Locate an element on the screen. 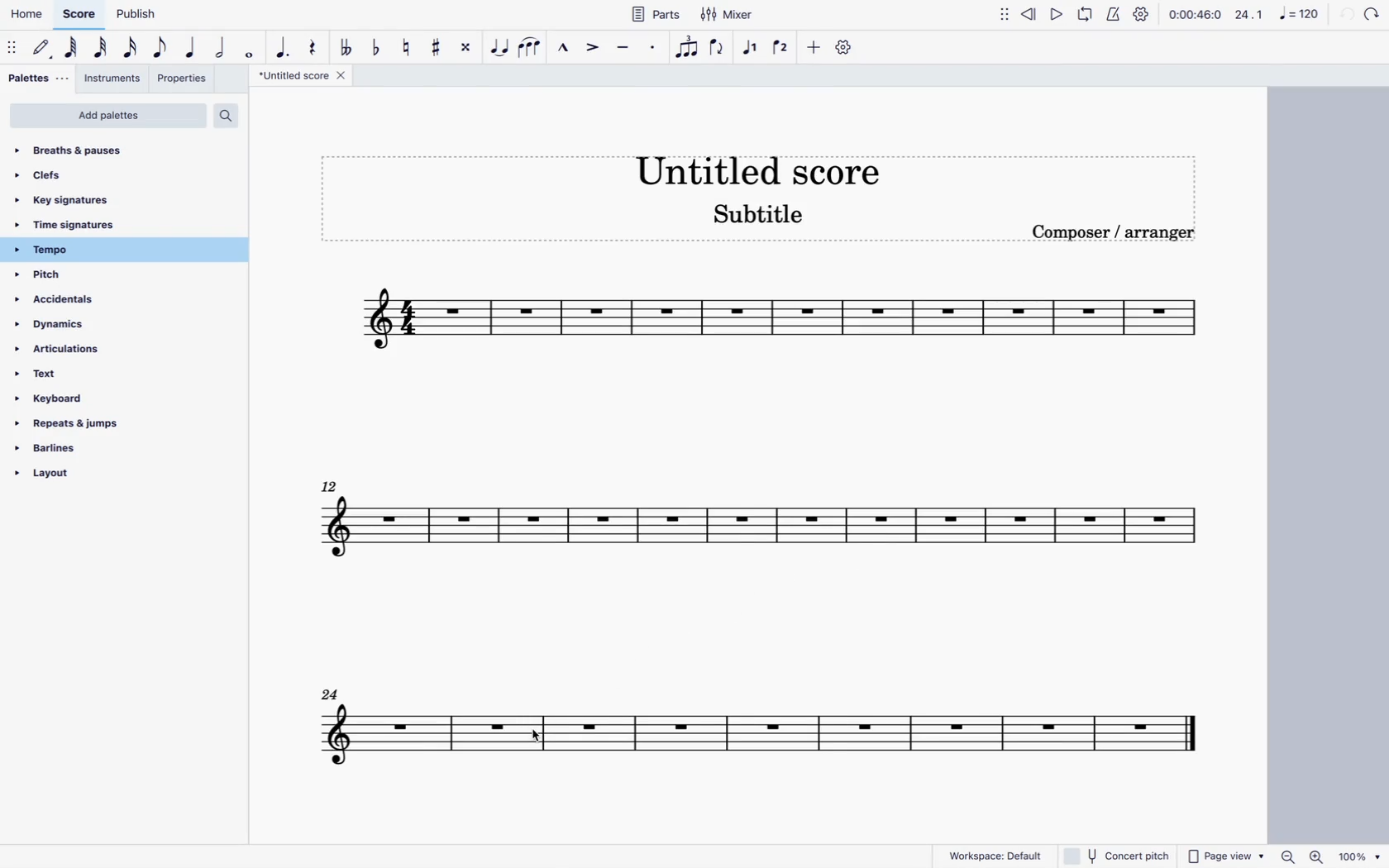 This screenshot has height=868, width=1389. tempo is located at coordinates (62, 250).